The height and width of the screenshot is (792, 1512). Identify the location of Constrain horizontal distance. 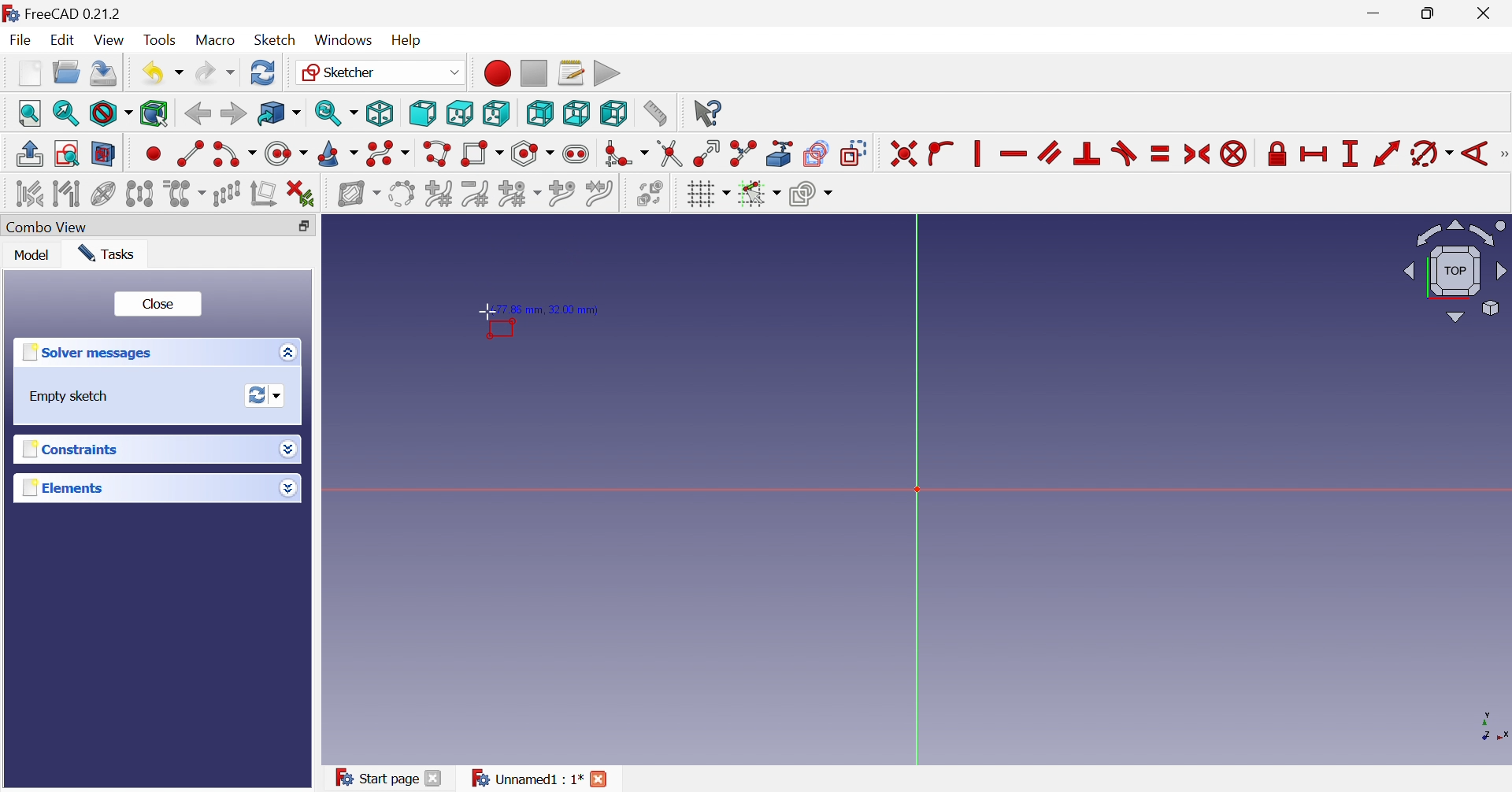
(1314, 154).